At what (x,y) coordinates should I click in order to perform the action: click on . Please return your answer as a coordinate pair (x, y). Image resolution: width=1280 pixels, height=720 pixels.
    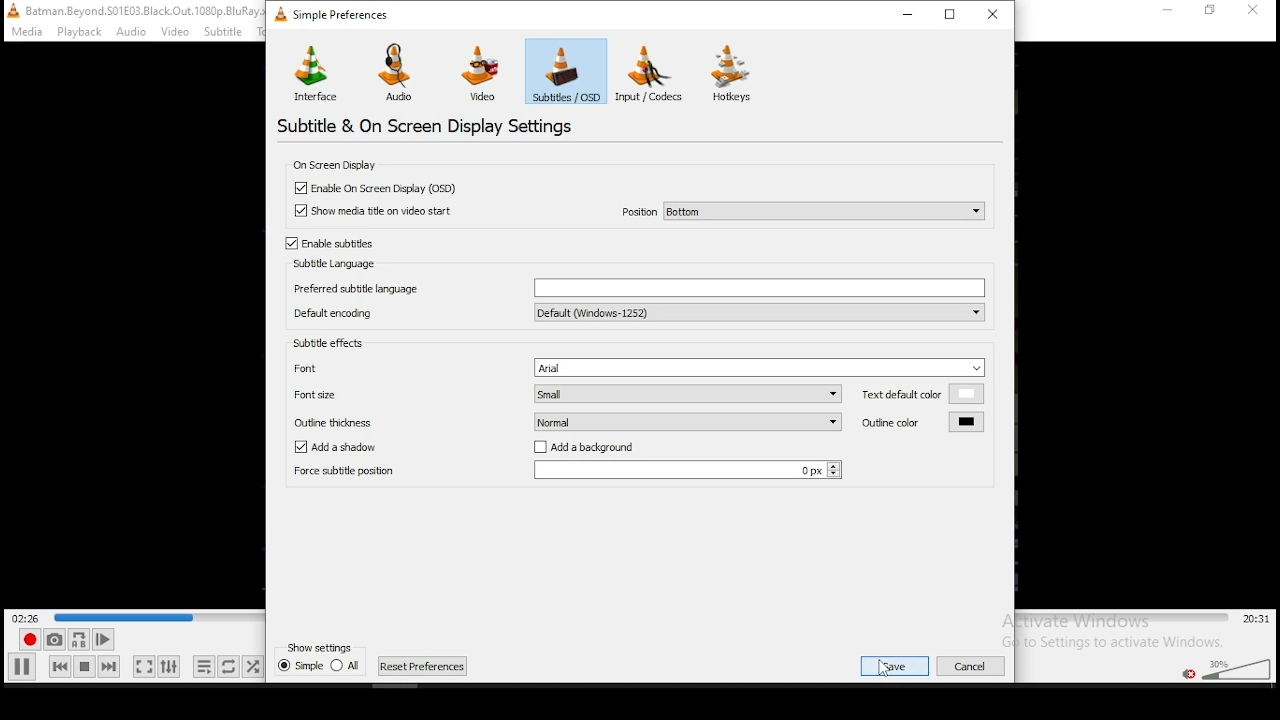
    Looking at the image, I should click on (1002, 390).